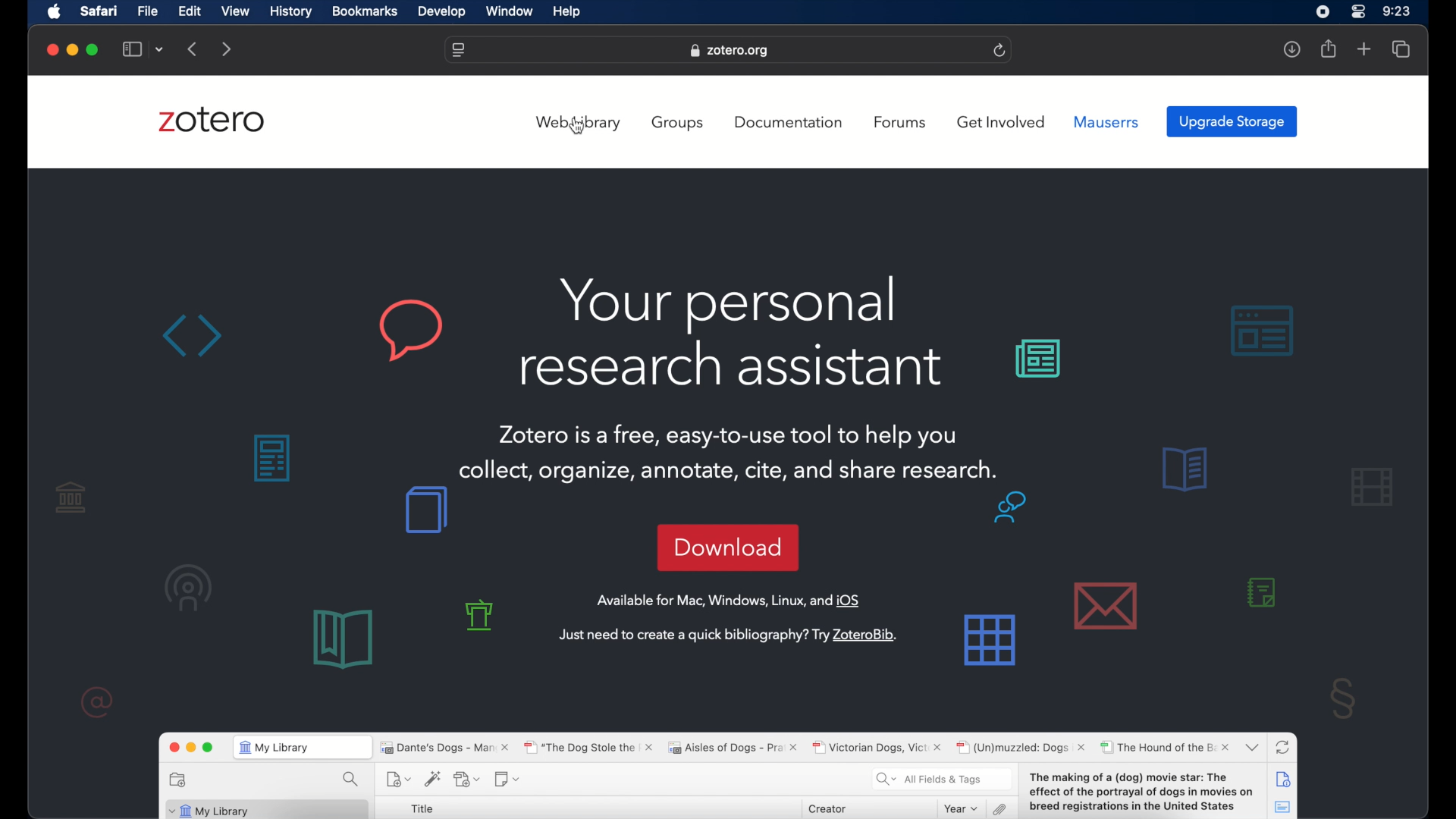  Describe the element at coordinates (211, 120) in the screenshot. I see `zotero` at that location.